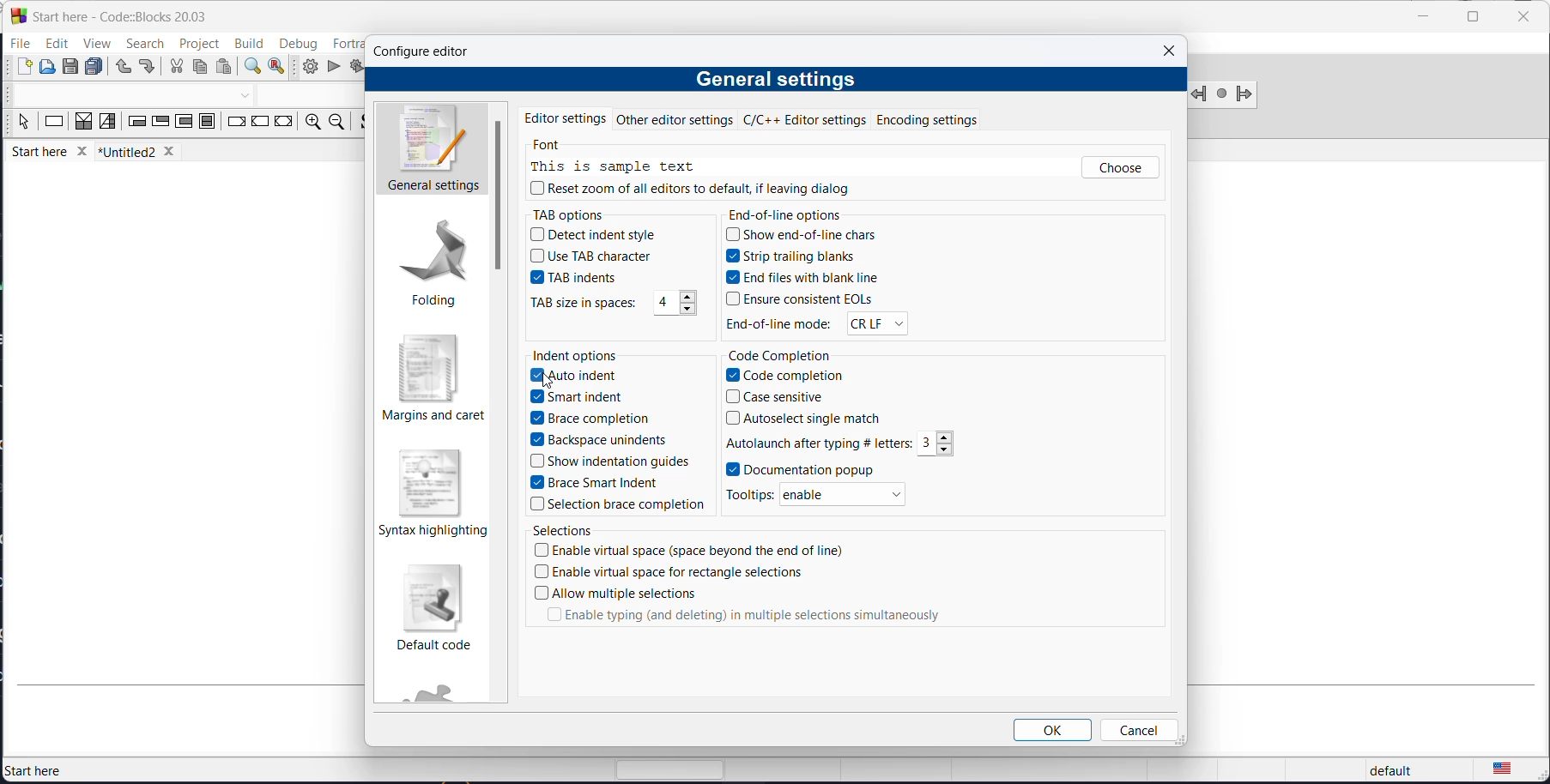  I want to click on selection brace checkbox, so click(621, 503).